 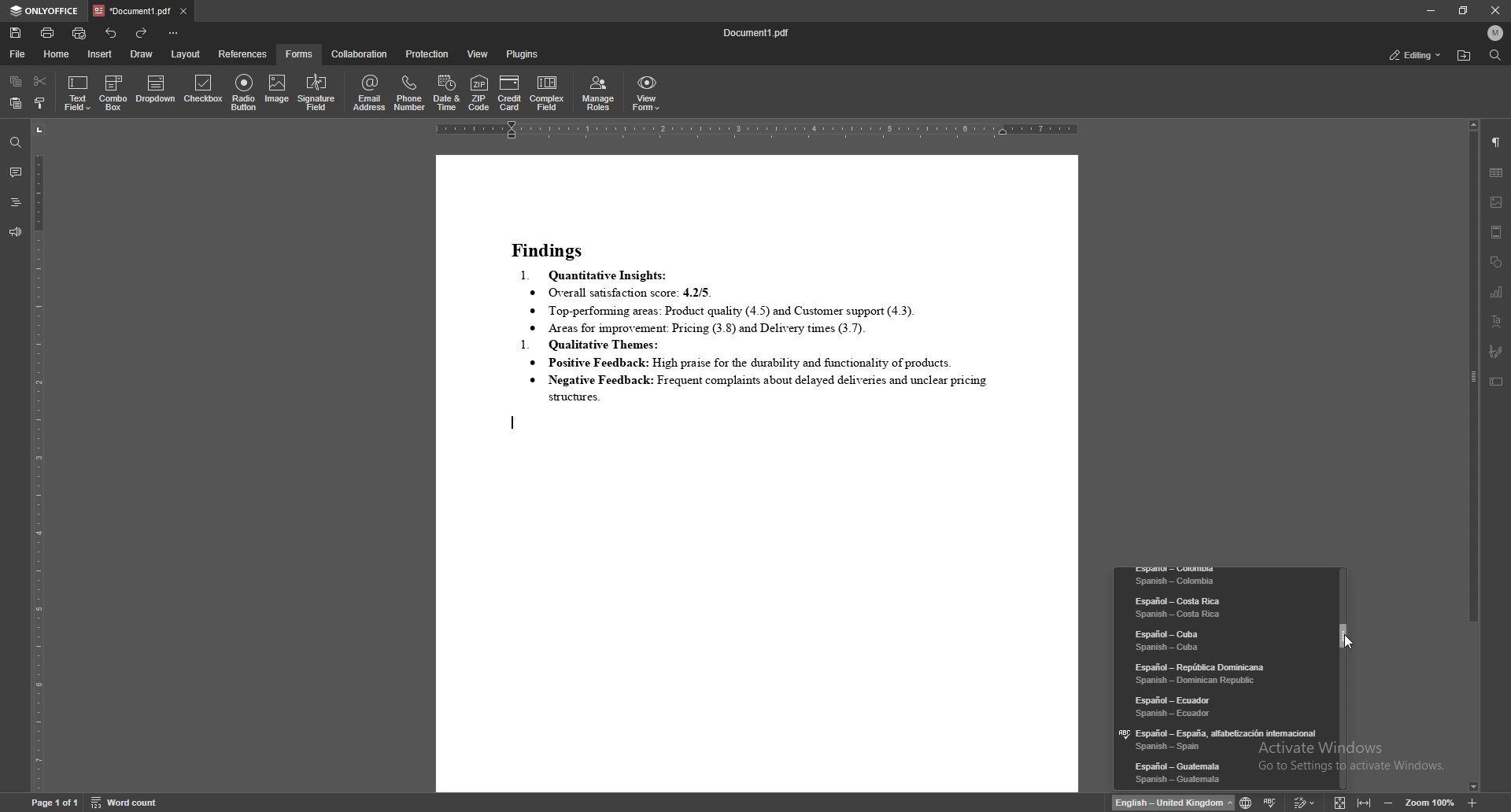 I want to click on references, so click(x=244, y=54).